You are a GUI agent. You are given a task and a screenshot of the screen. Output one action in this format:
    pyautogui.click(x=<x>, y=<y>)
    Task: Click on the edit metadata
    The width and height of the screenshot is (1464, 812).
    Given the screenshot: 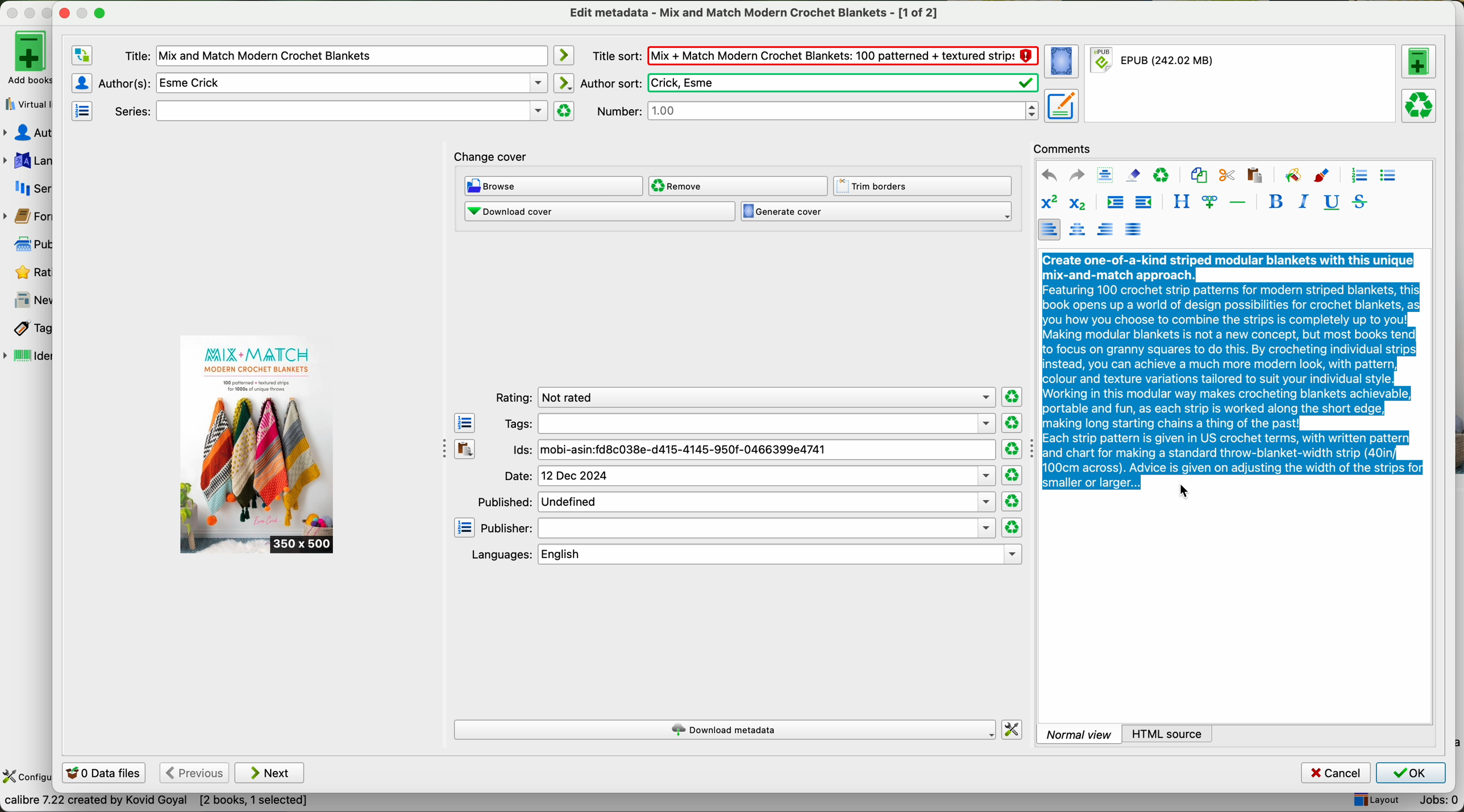 What is the action you would take?
    pyautogui.click(x=756, y=13)
    